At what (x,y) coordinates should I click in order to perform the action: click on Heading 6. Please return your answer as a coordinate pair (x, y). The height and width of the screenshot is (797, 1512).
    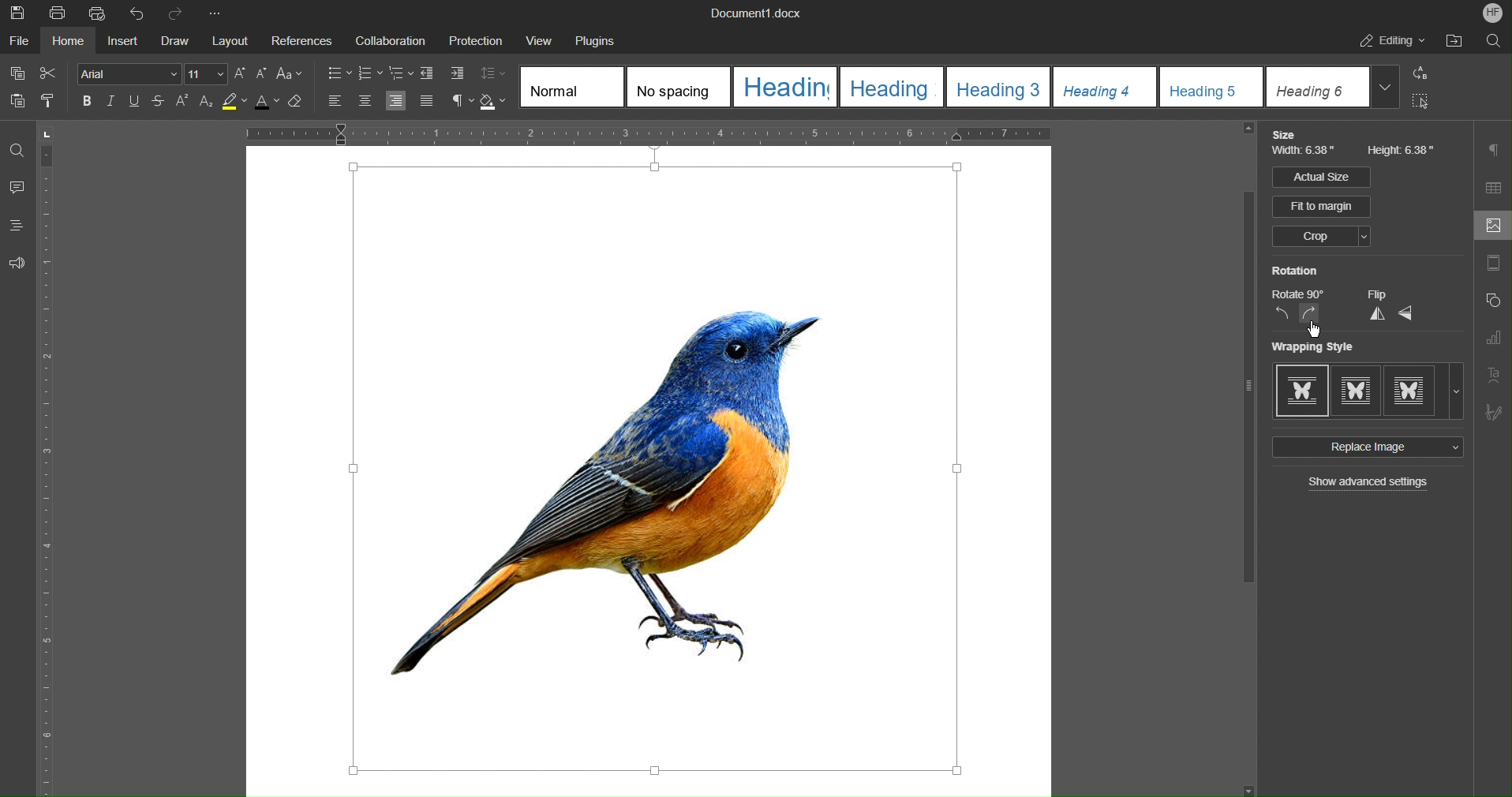
    Looking at the image, I should click on (1334, 87).